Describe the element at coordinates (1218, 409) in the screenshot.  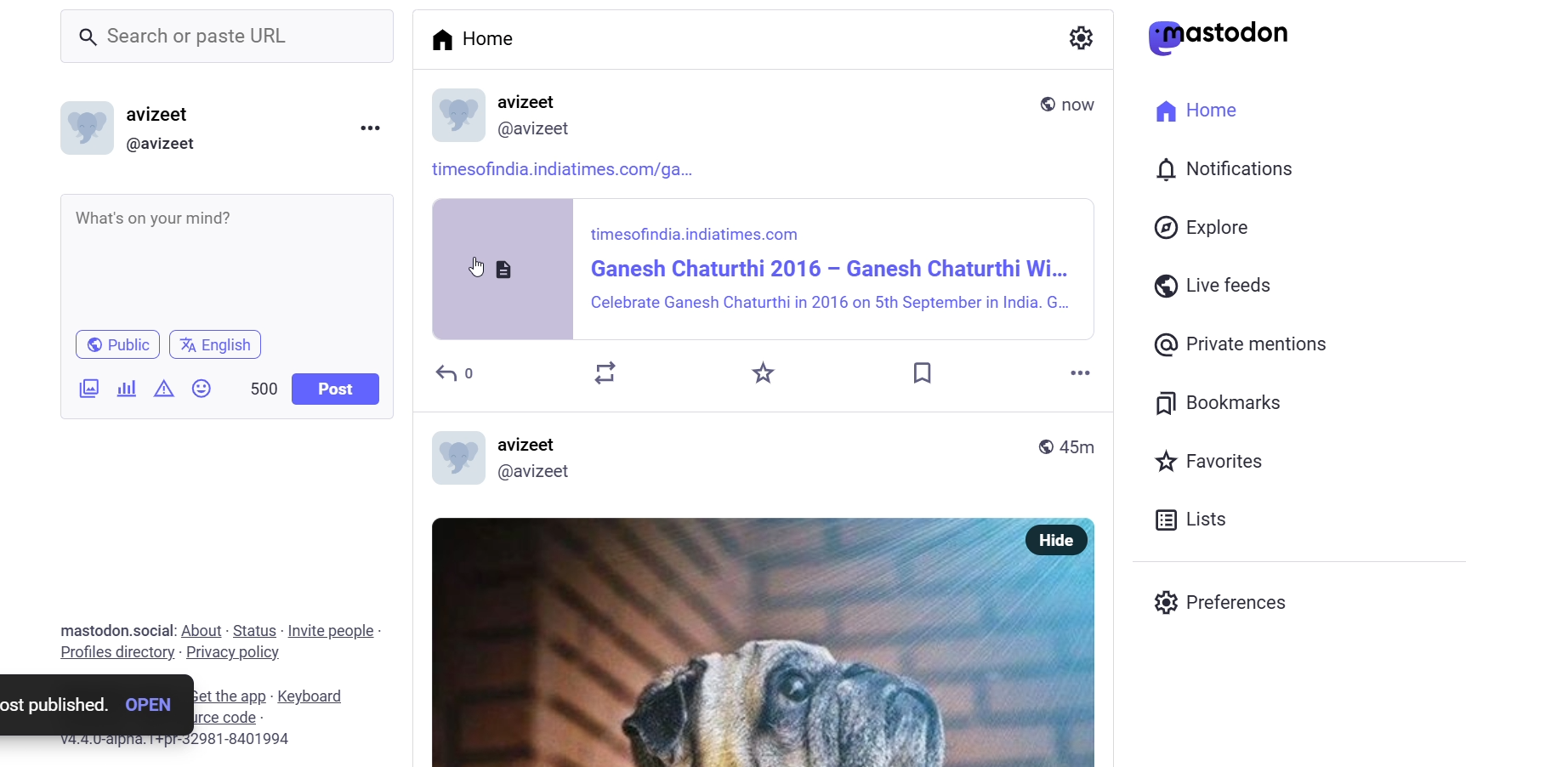
I see ` Bookmarks` at that location.